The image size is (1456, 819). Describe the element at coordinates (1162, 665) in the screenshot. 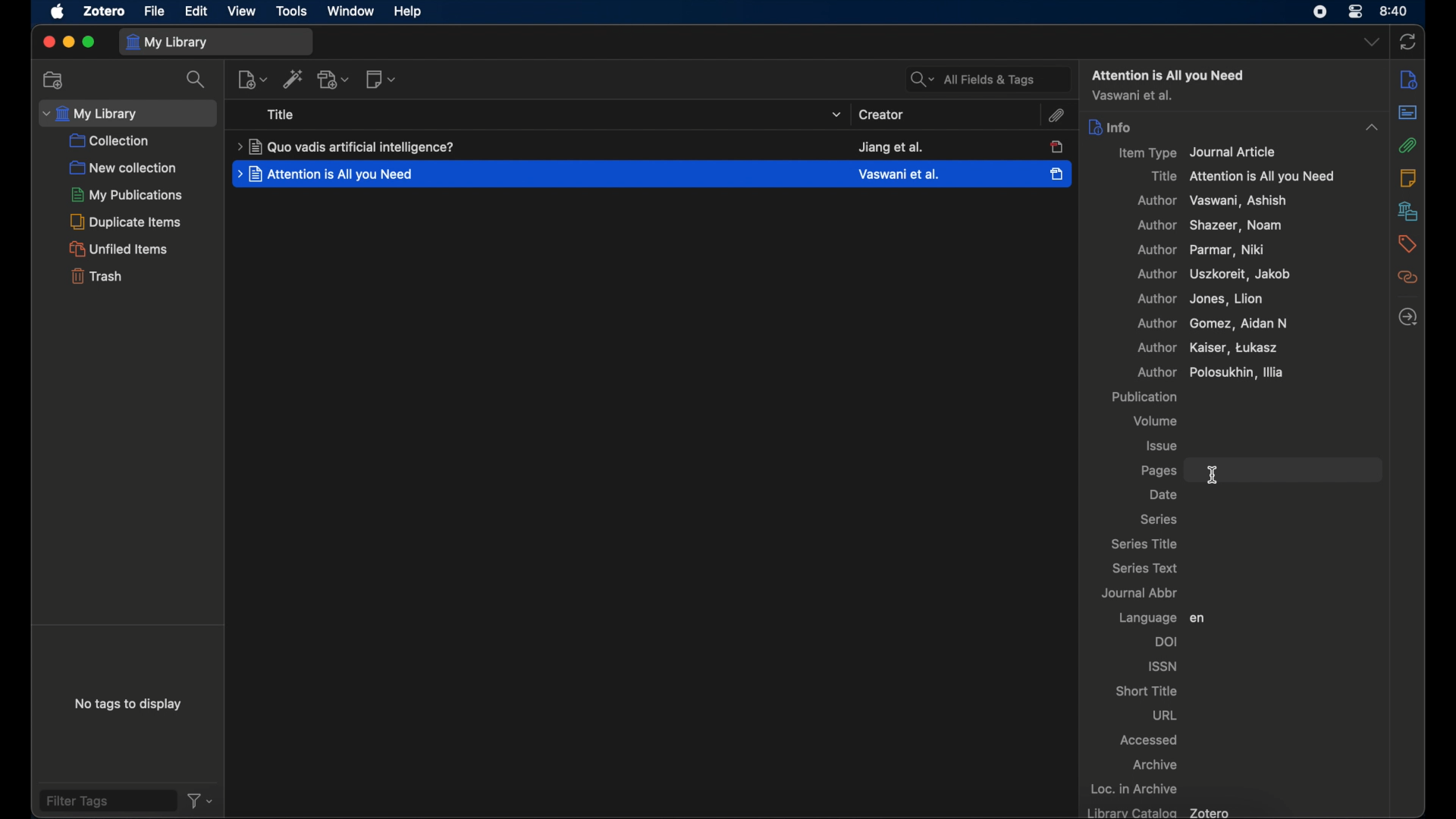

I see `issn` at that location.